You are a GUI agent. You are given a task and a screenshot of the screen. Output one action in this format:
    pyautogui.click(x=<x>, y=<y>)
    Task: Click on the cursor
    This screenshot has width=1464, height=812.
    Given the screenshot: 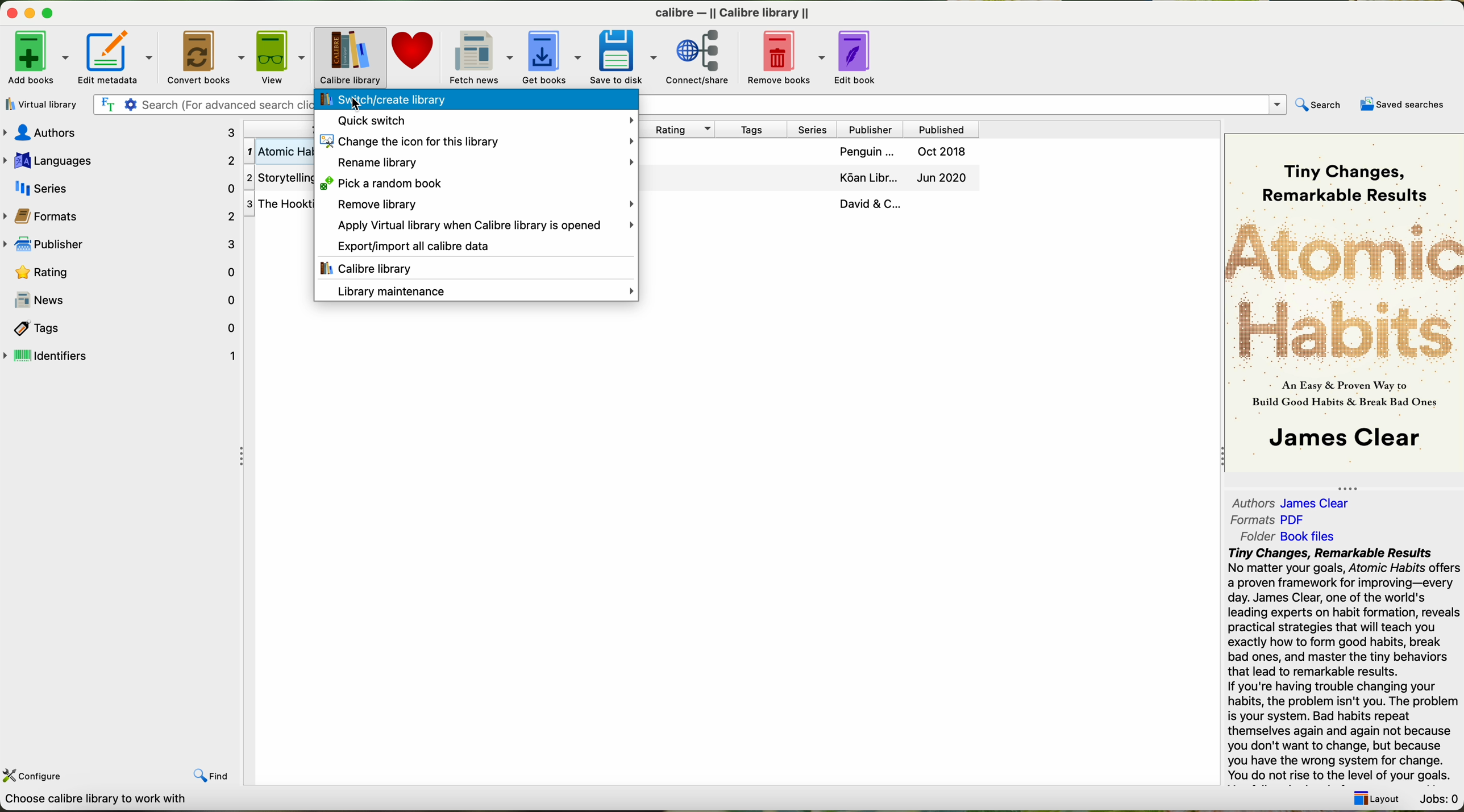 What is the action you would take?
    pyautogui.click(x=357, y=101)
    